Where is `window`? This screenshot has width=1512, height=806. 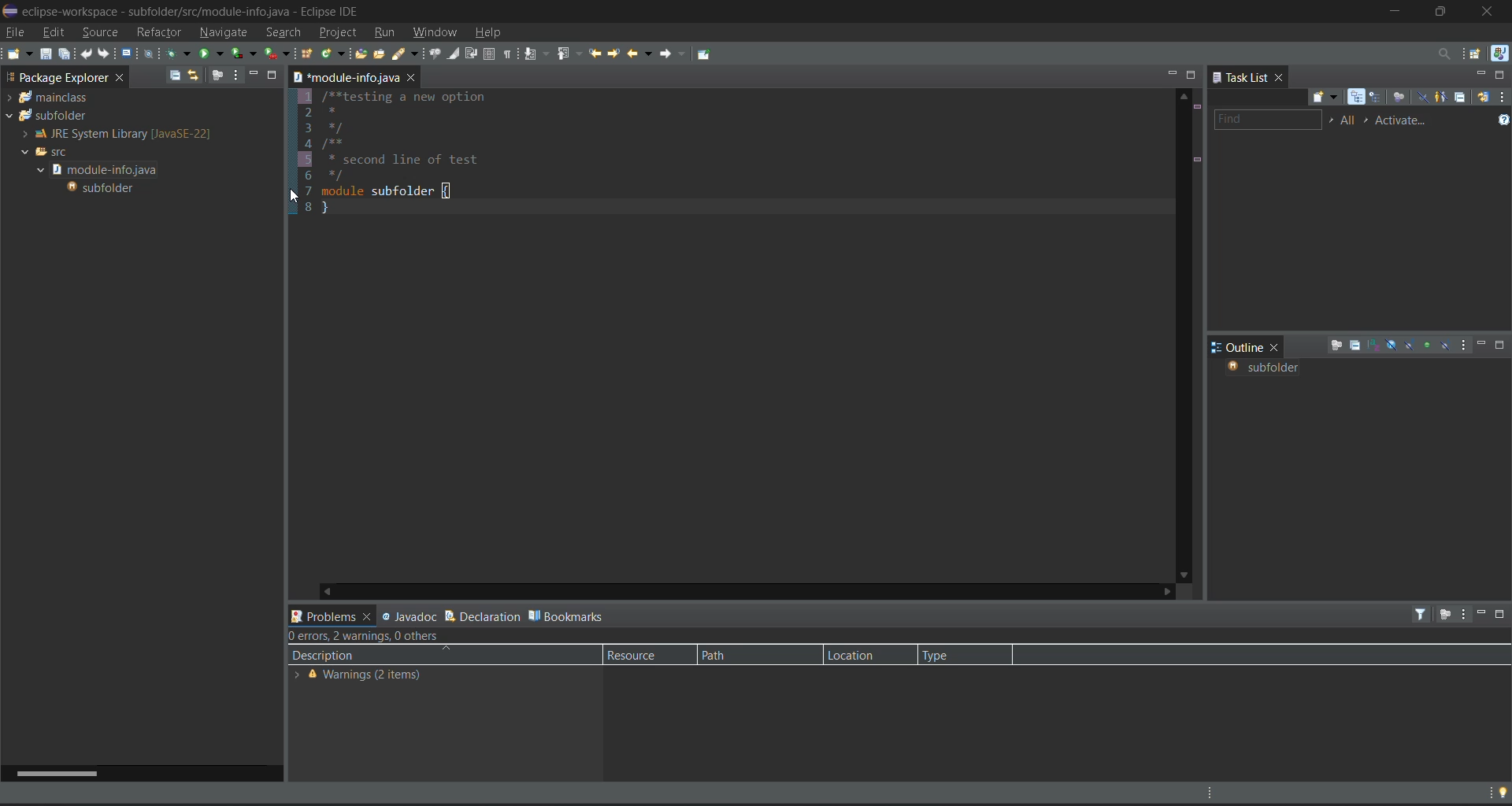
window is located at coordinates (439, 31).